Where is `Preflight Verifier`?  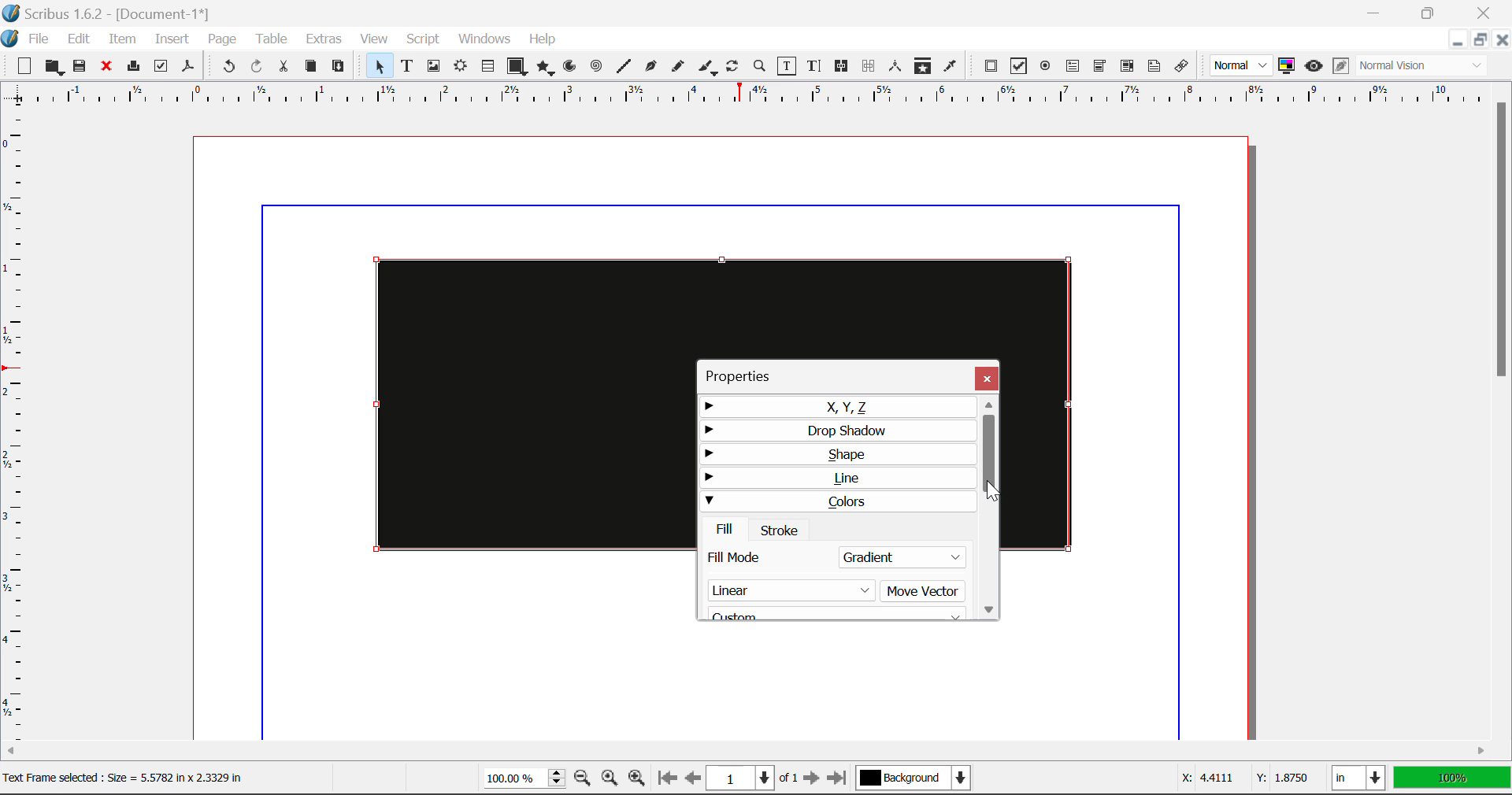
Preflight Verifier is located at coordinates (161, 68).